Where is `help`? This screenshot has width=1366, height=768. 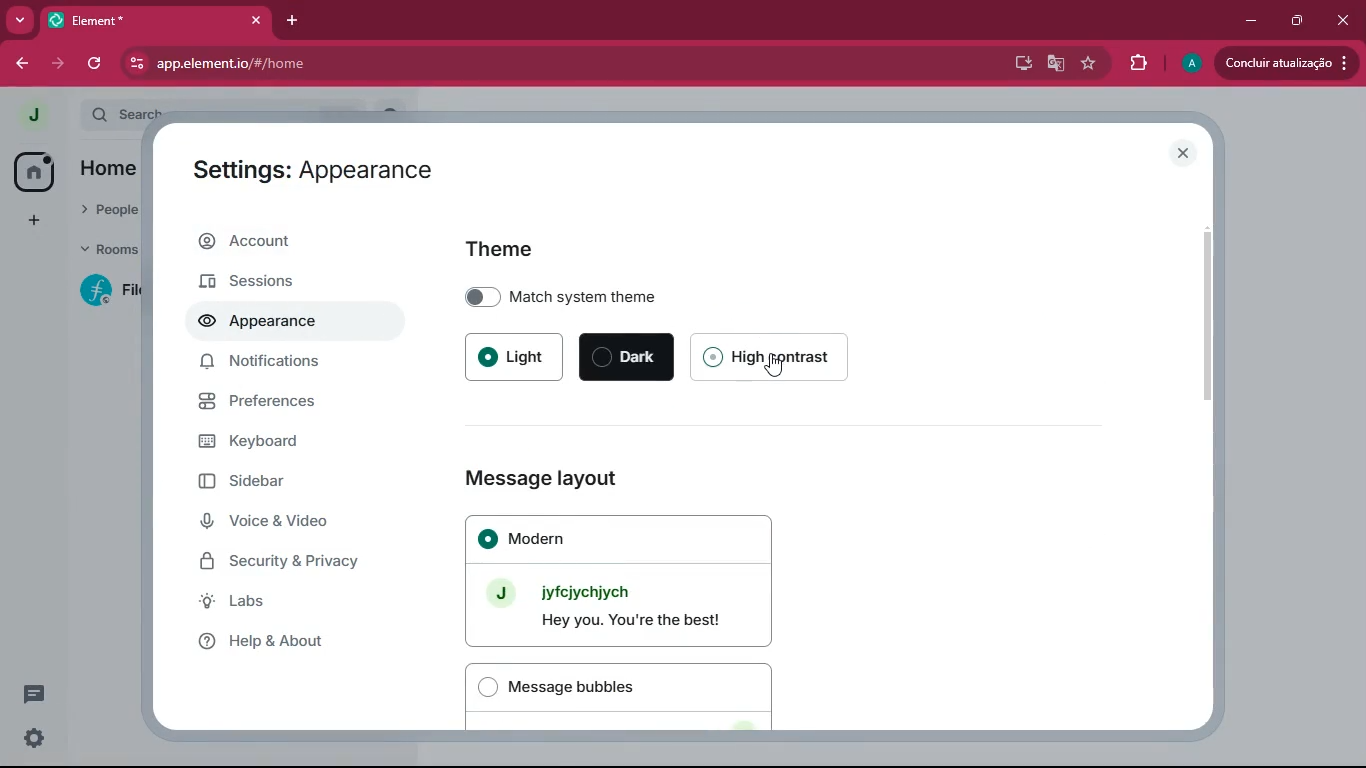 help is located at coordinates (293, 641).